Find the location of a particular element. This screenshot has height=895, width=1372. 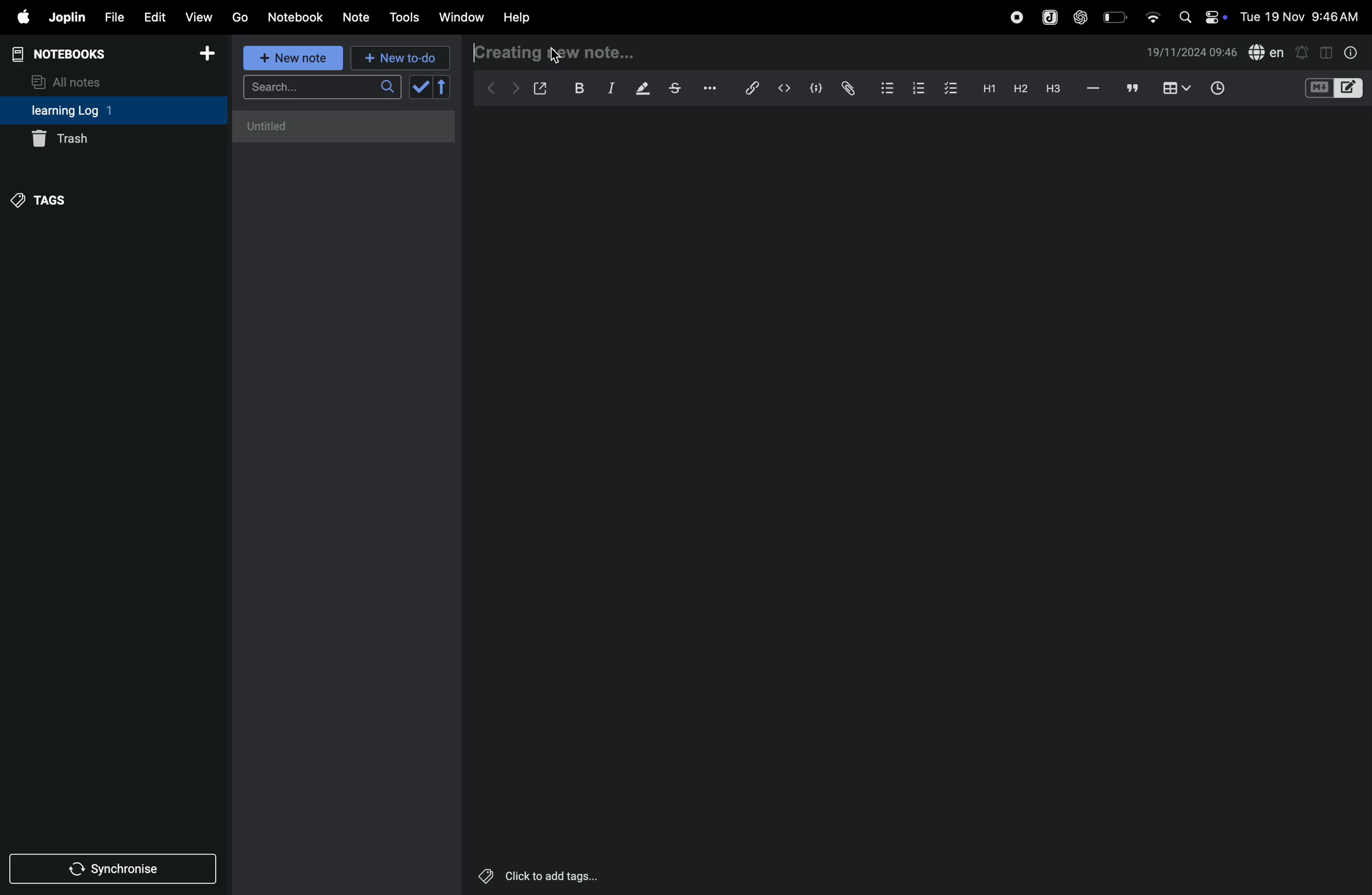

numbered list is located at coordinates (915, 87).